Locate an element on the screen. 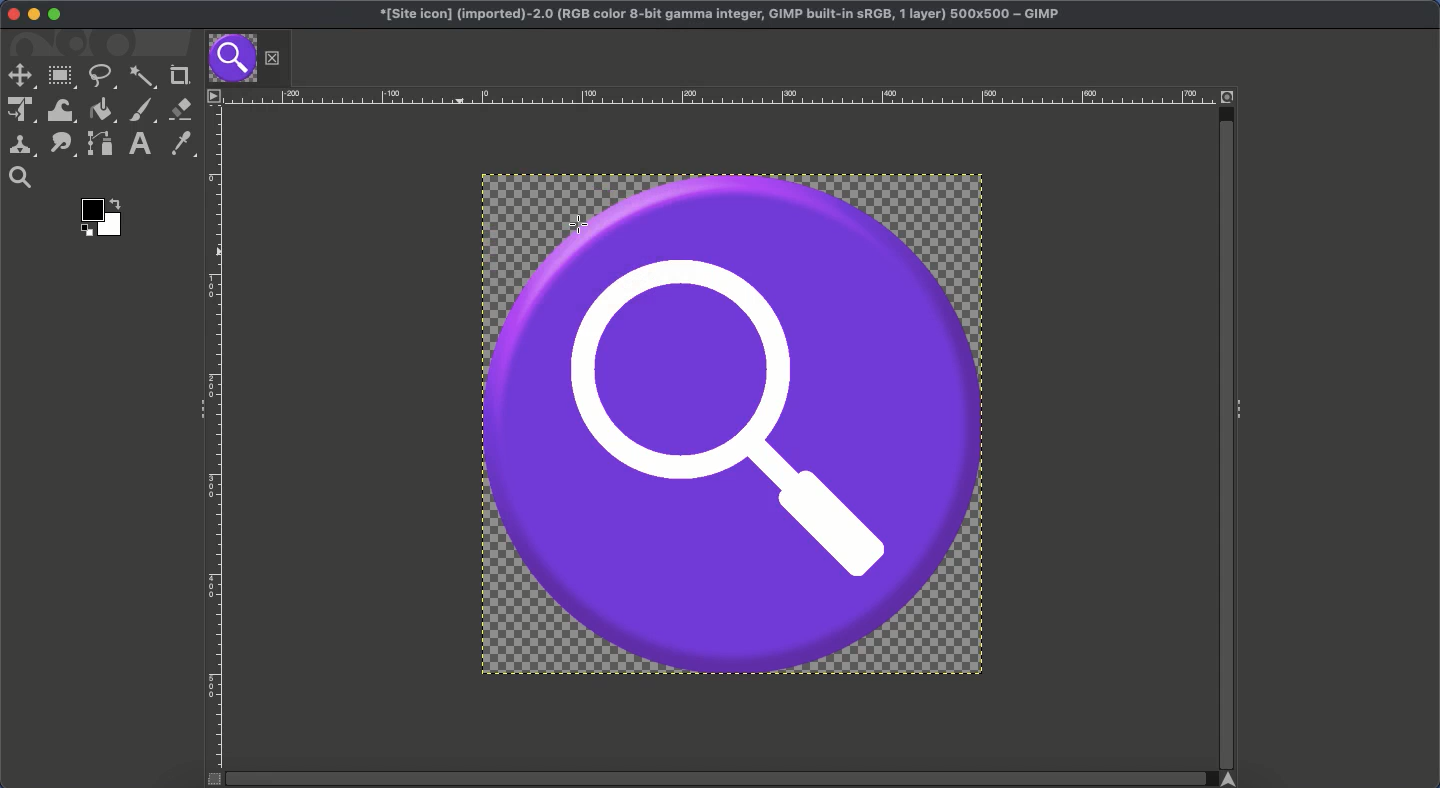 The image size is (1440, 788). Color picker is located at coordinates (180, 144).